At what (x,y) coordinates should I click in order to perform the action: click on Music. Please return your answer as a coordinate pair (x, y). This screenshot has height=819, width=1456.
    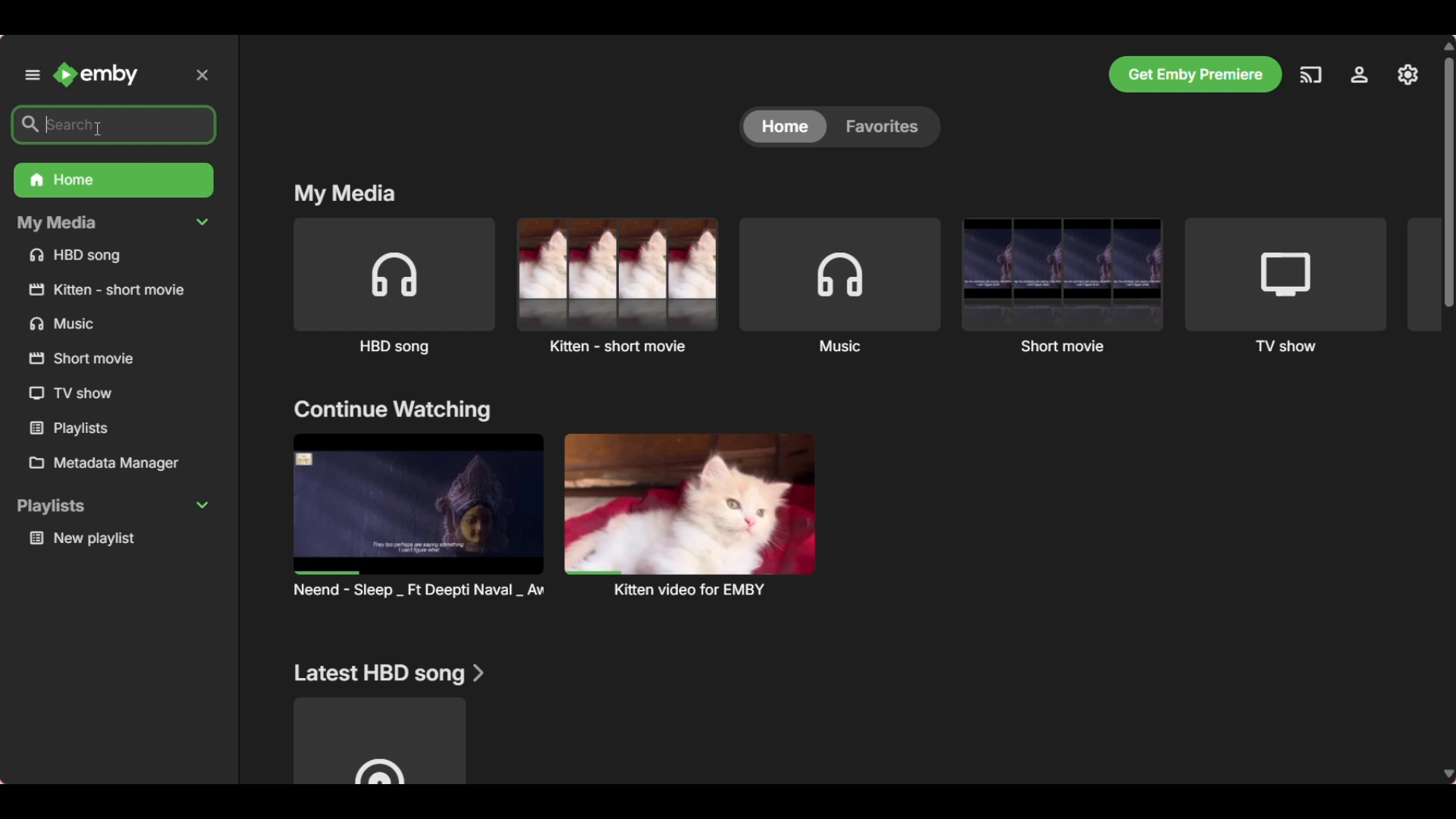
    Looking at the image, I should click on (841, 284).